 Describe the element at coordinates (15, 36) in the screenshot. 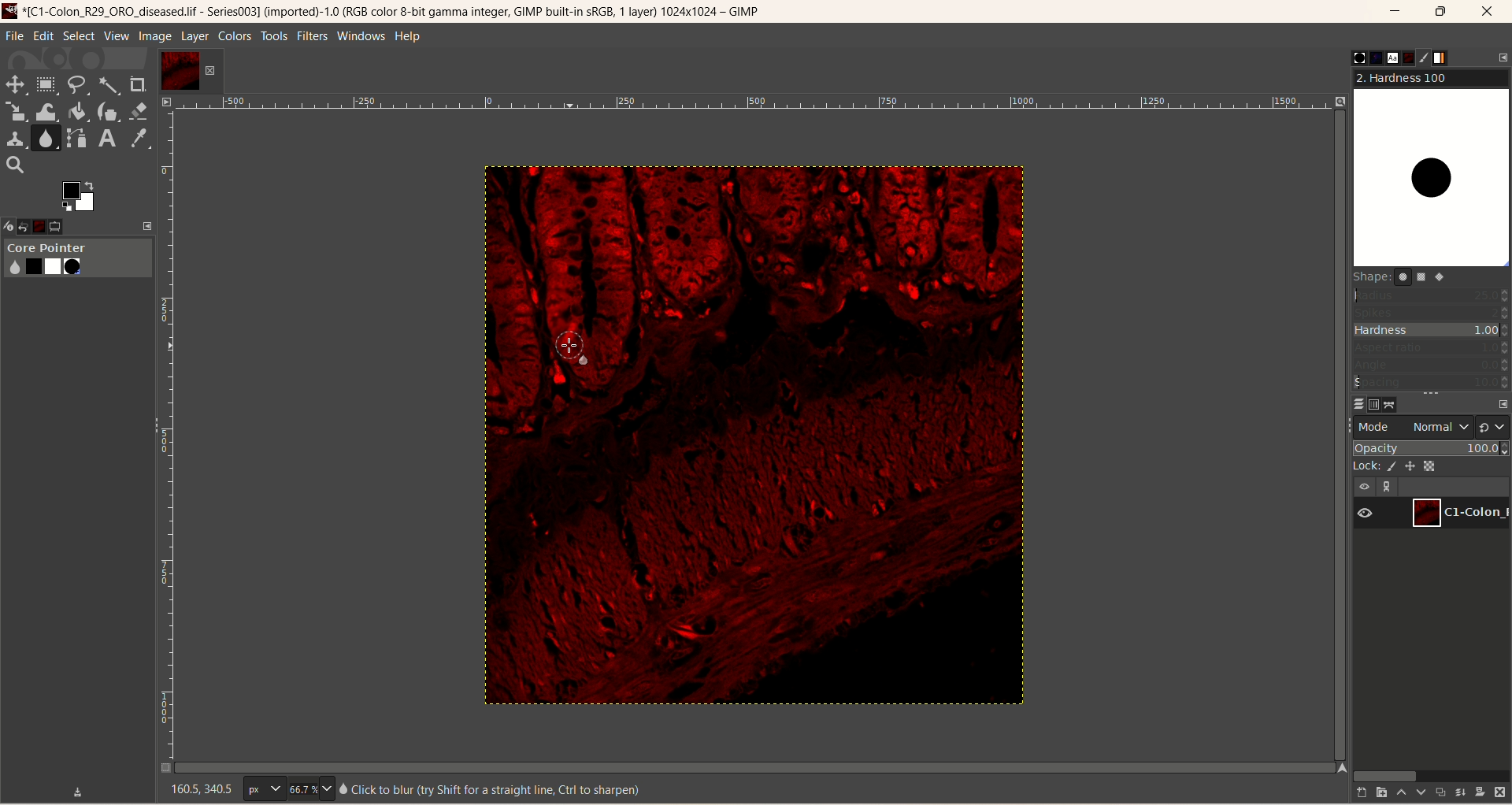

I see `file` at that location.